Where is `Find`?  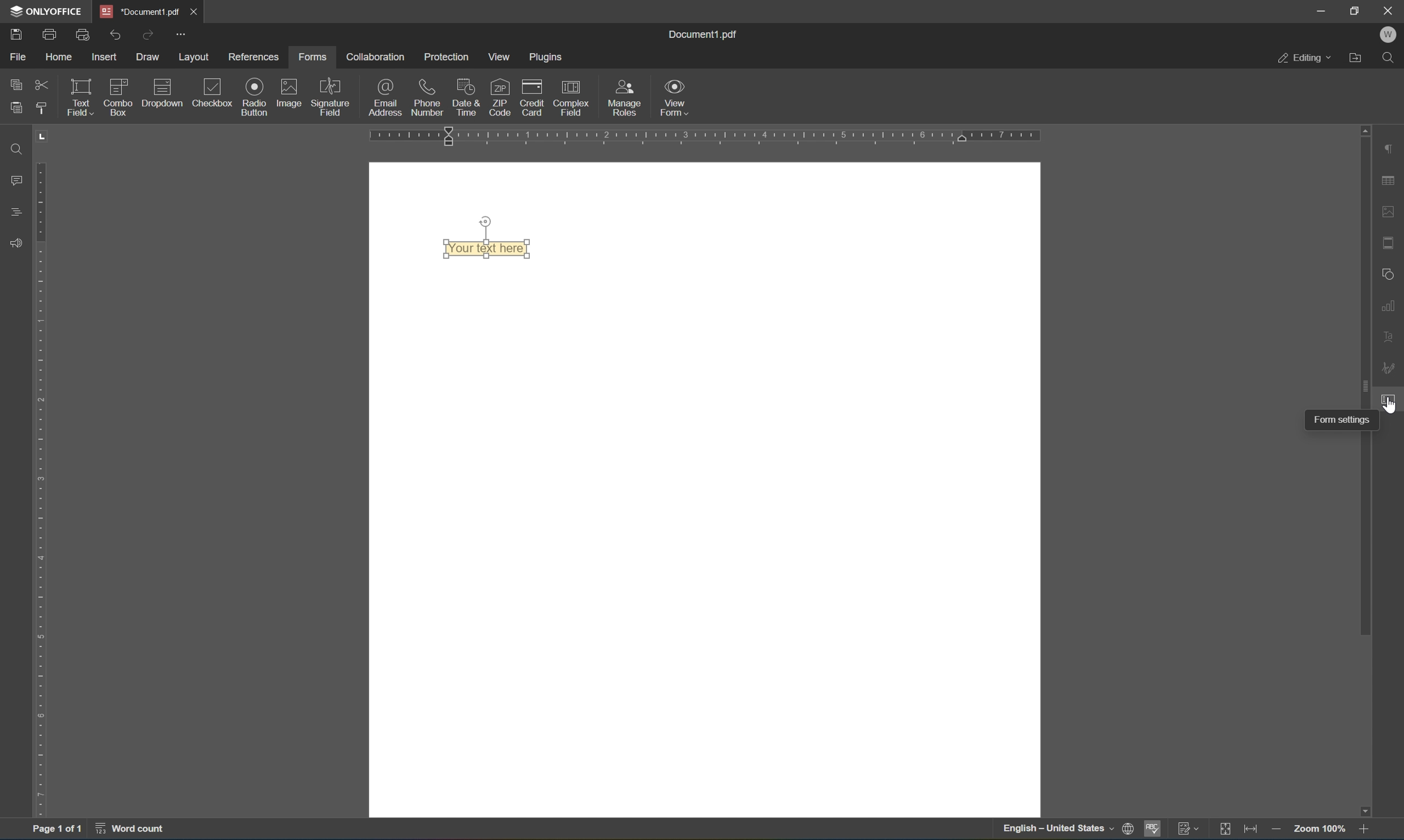 Find is located at coordinates (1393, 58).